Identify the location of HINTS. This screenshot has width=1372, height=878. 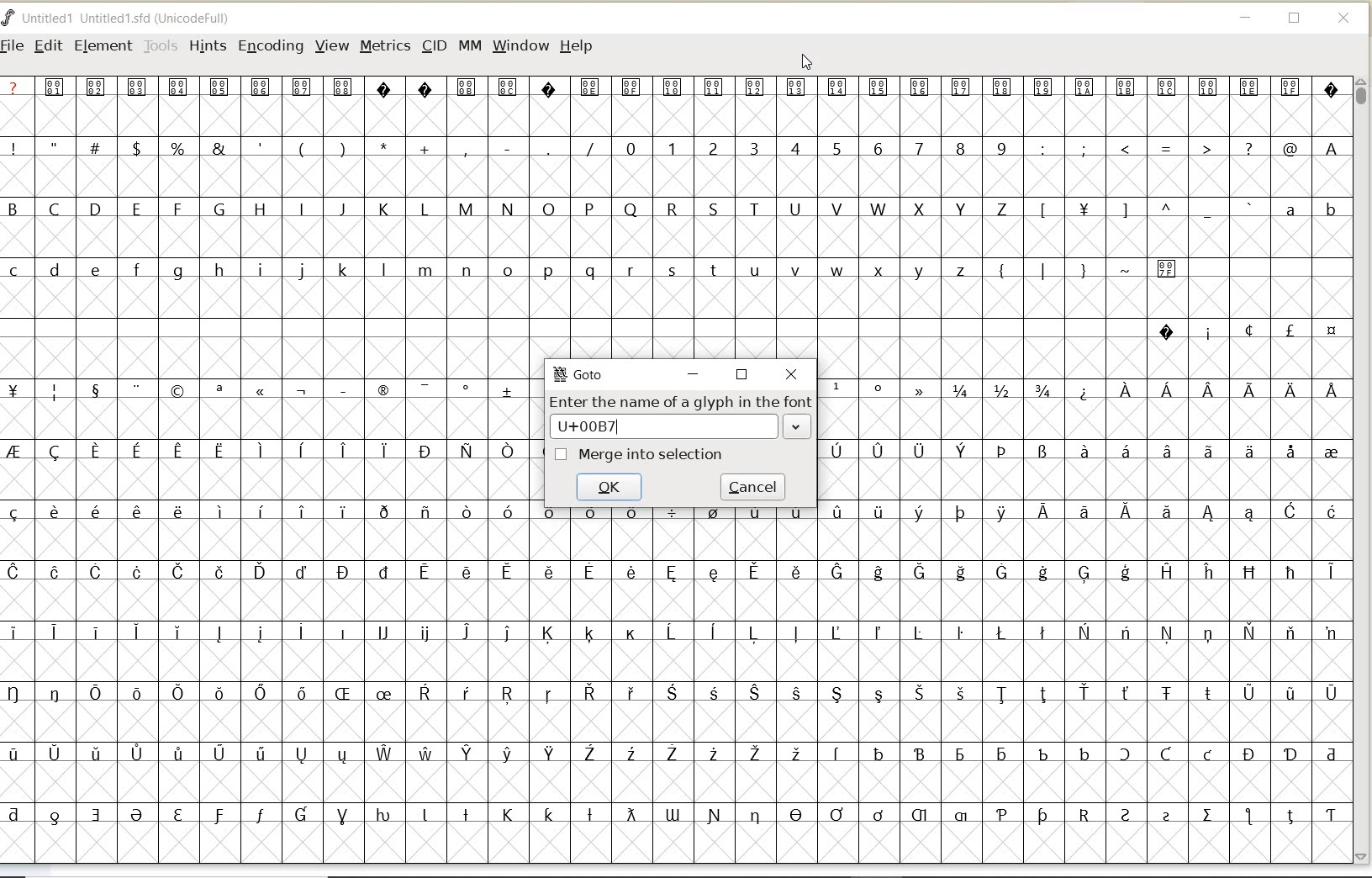
(206, 45).